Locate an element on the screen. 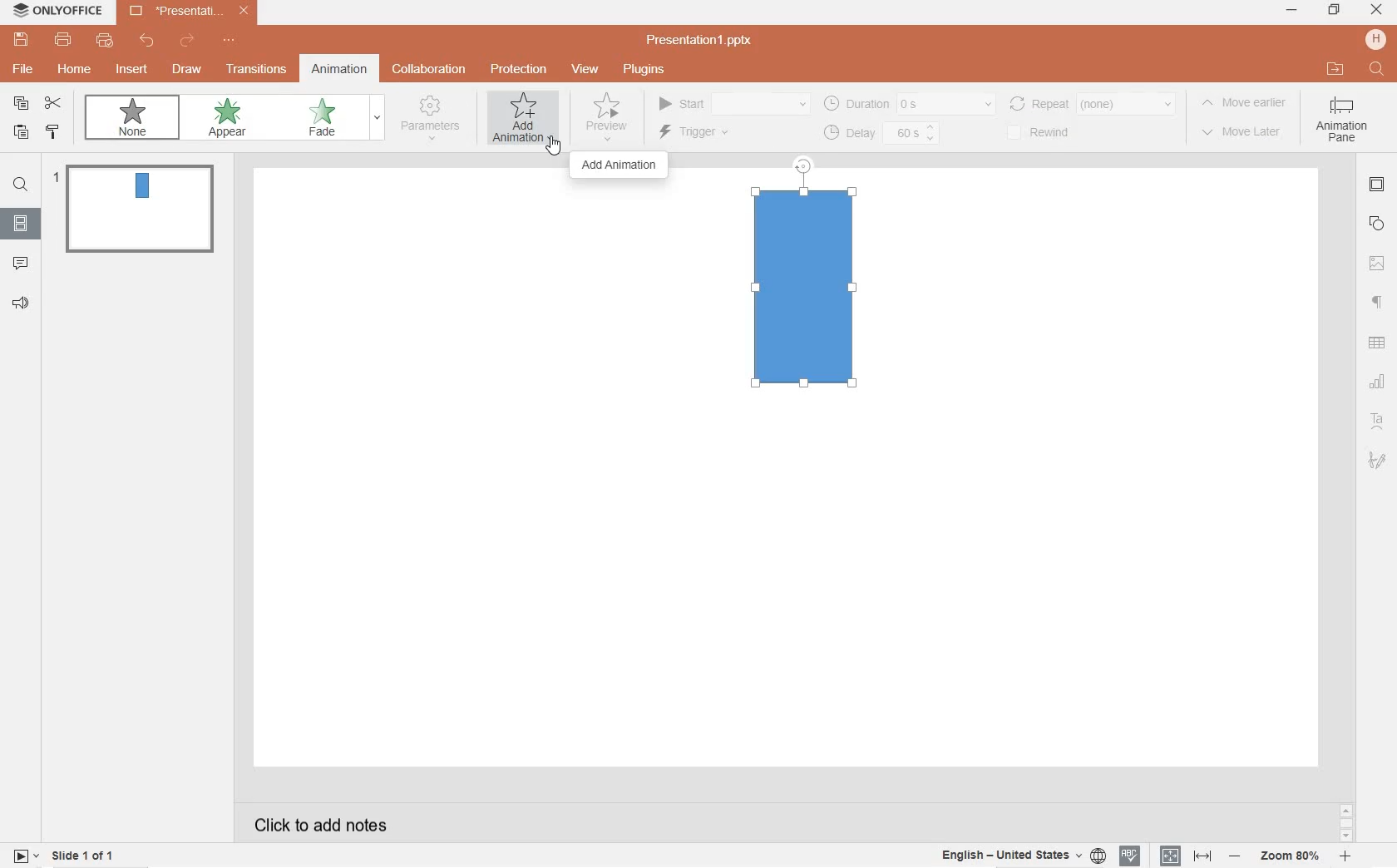  add animation is located at coordinates (620, 167).